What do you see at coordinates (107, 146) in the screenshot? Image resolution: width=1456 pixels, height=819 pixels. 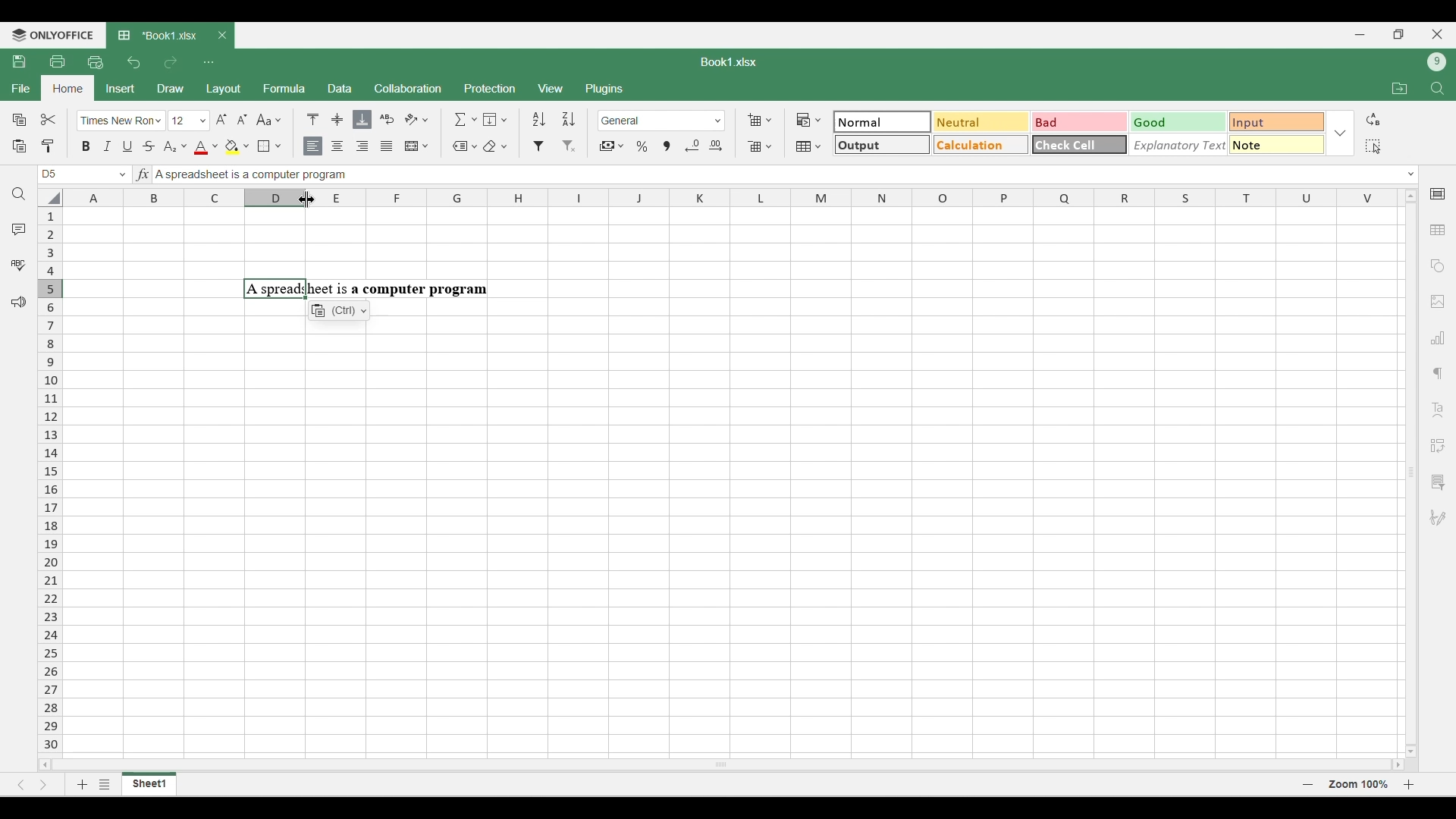 I see `Italics` at bounding box center [107, 146].